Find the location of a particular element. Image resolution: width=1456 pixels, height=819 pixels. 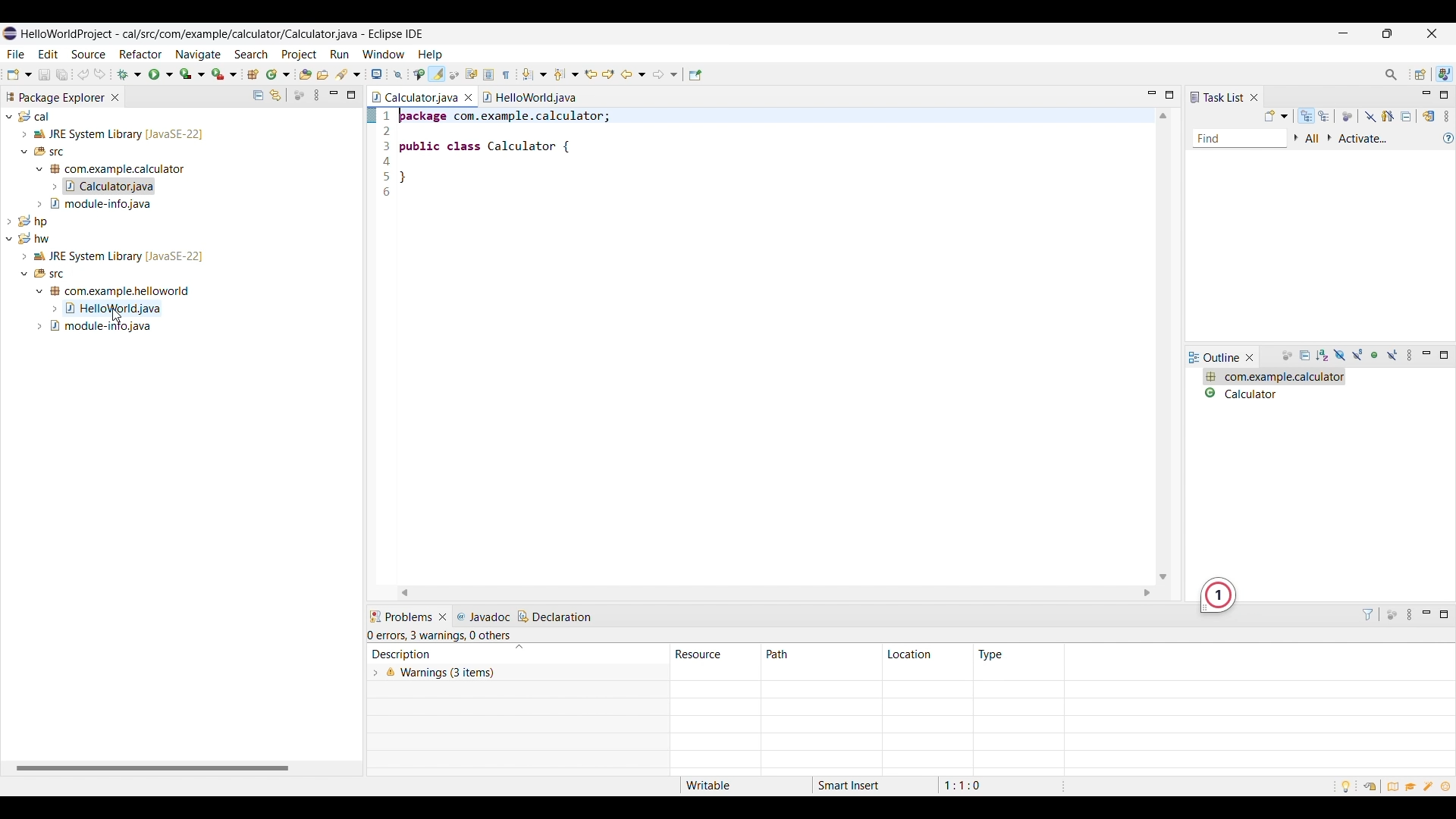

Cursor is located at coordinates (117, 315).